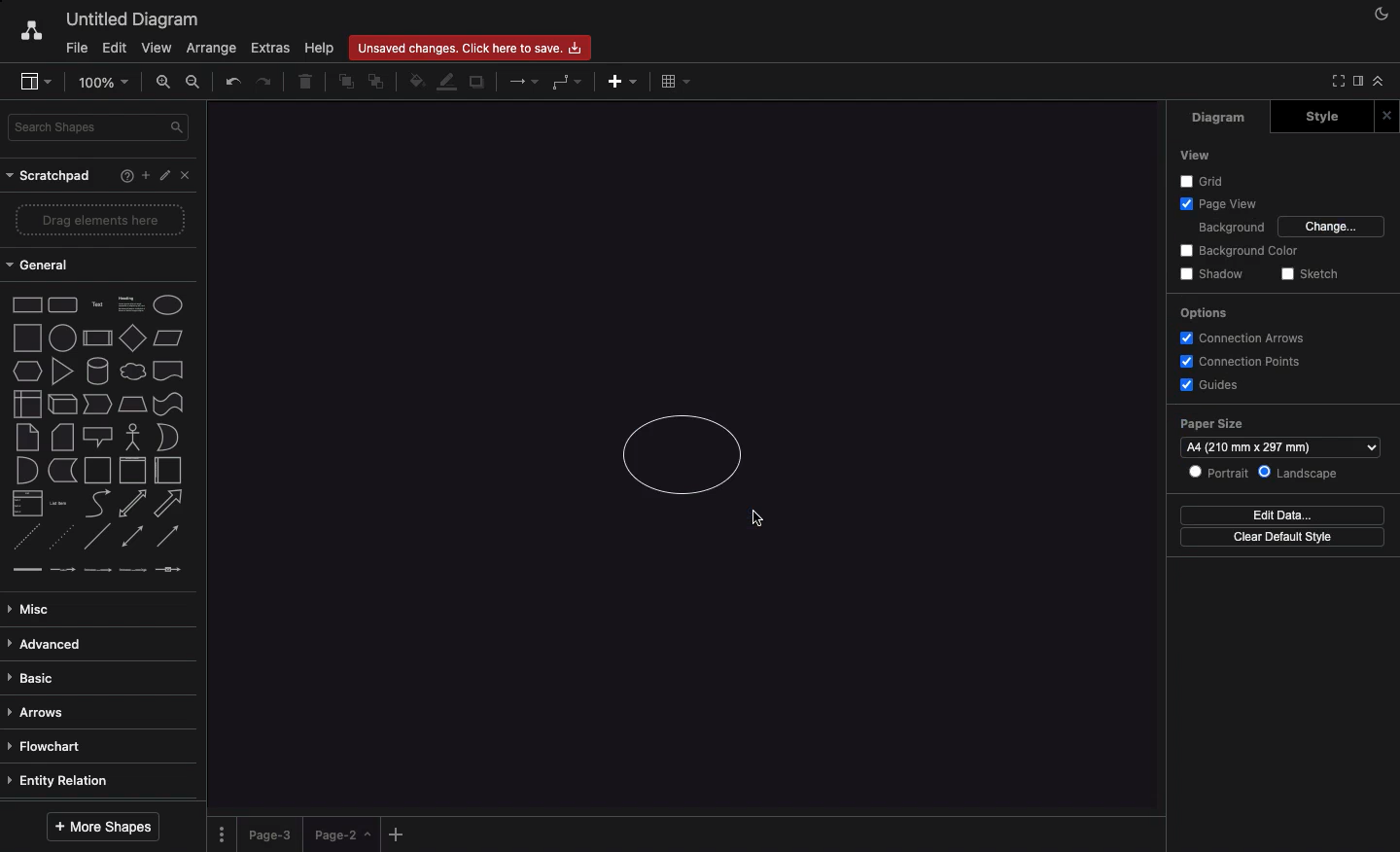 This screenshot has height=852, width=1400. What do you see at coordinates (131, 438) in the screenshot?
I see `actor` at bounding box center [131, 438].